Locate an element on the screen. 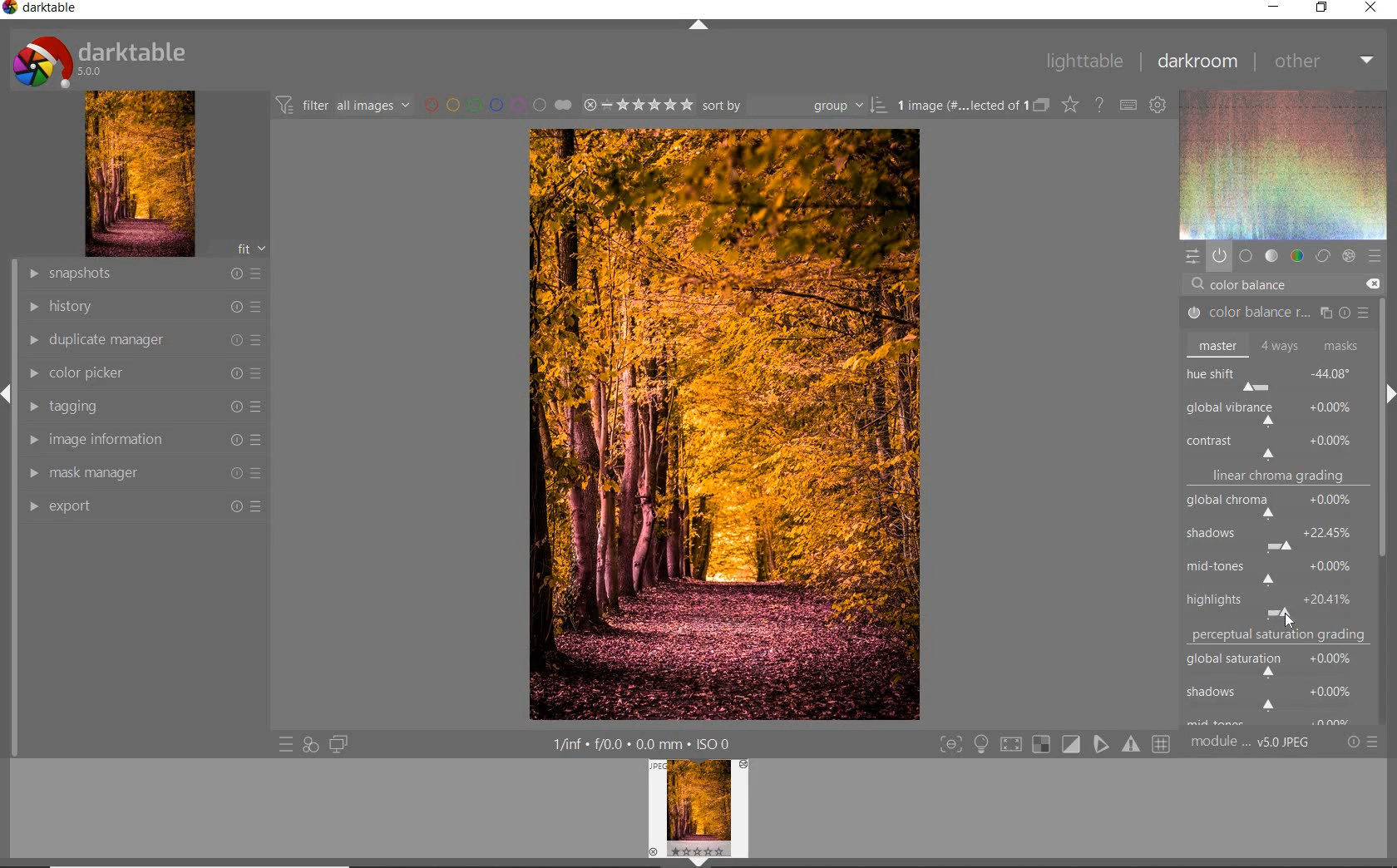 The image size is (1397, 868). COLOR BALANCE is located at coordinates (1253, 285).